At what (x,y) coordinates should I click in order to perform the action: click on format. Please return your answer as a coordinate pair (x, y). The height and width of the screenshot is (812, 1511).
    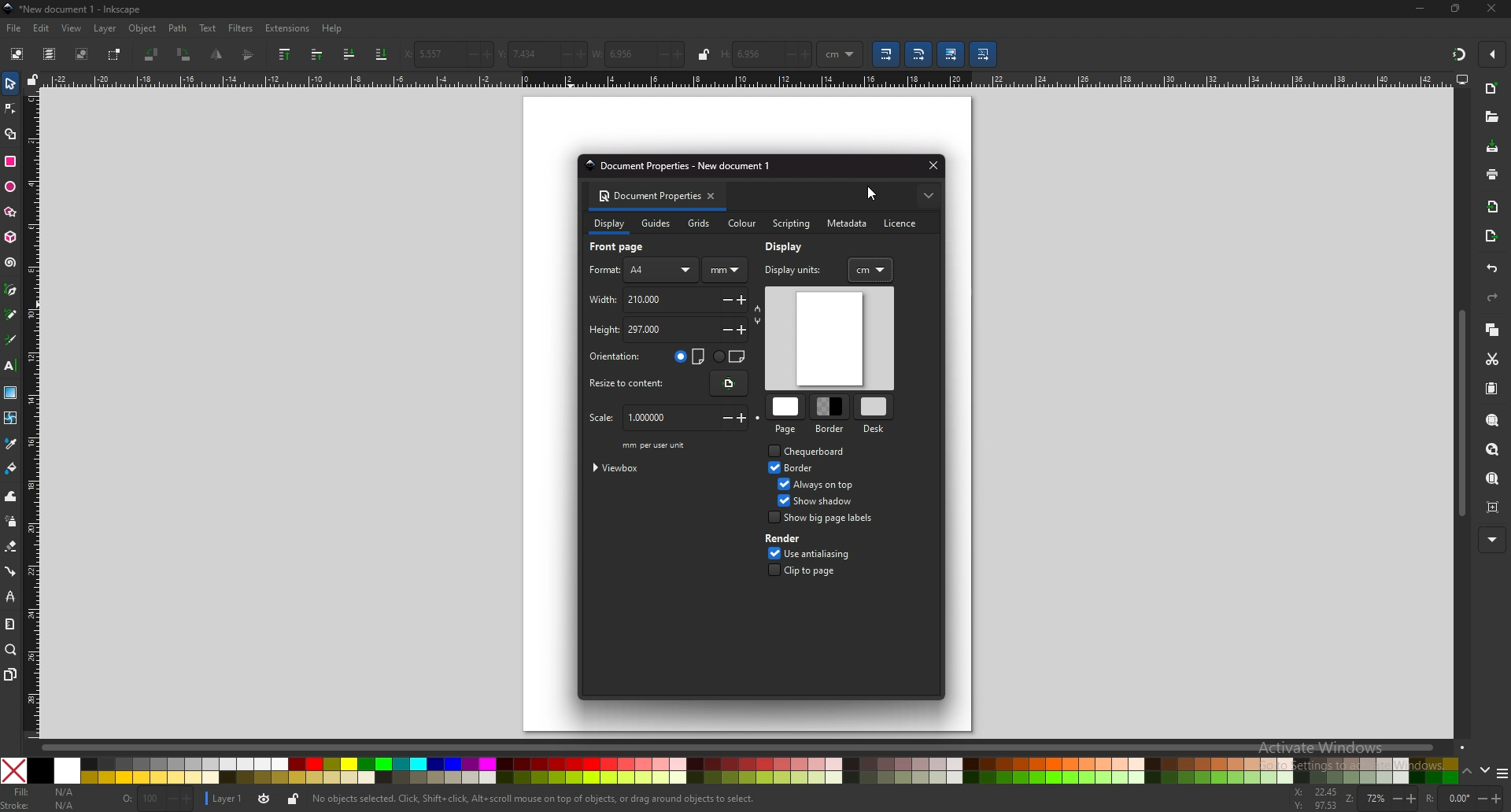
    Looking at the image, I should click on (604, 270).